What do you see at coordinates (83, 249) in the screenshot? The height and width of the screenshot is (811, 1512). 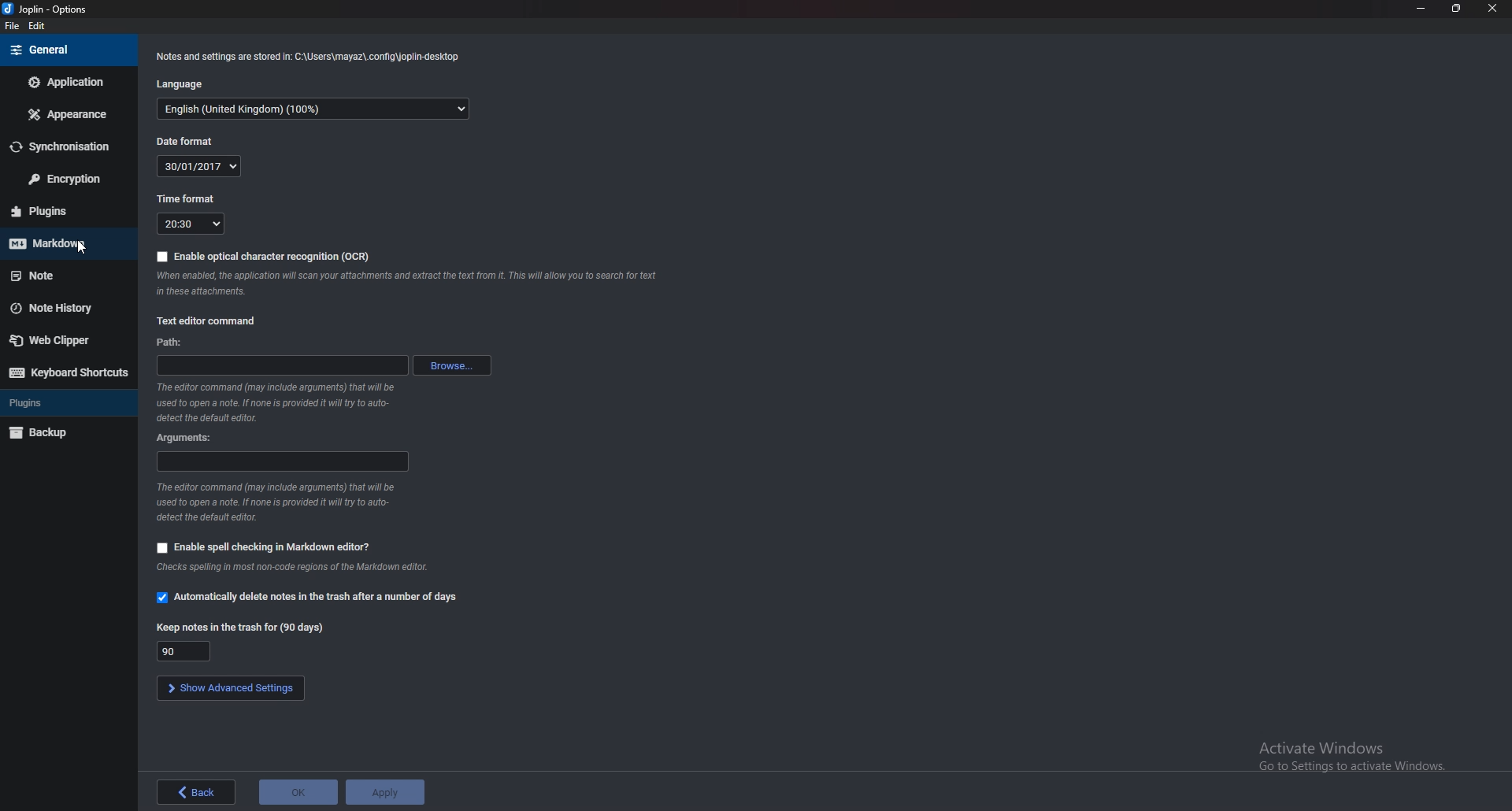 I see `cursor` at bounding box center [83, 249].